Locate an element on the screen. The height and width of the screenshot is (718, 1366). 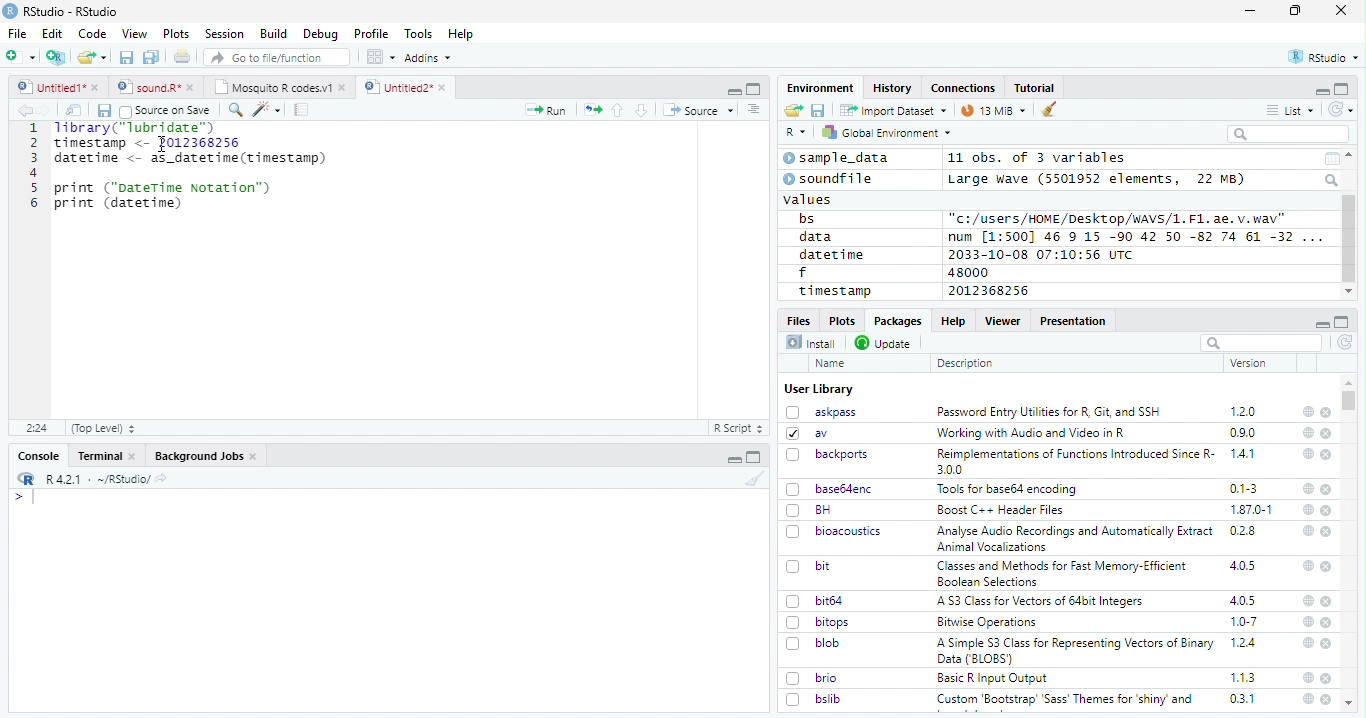
1.0-7 is located at coordinates (1245, 622).